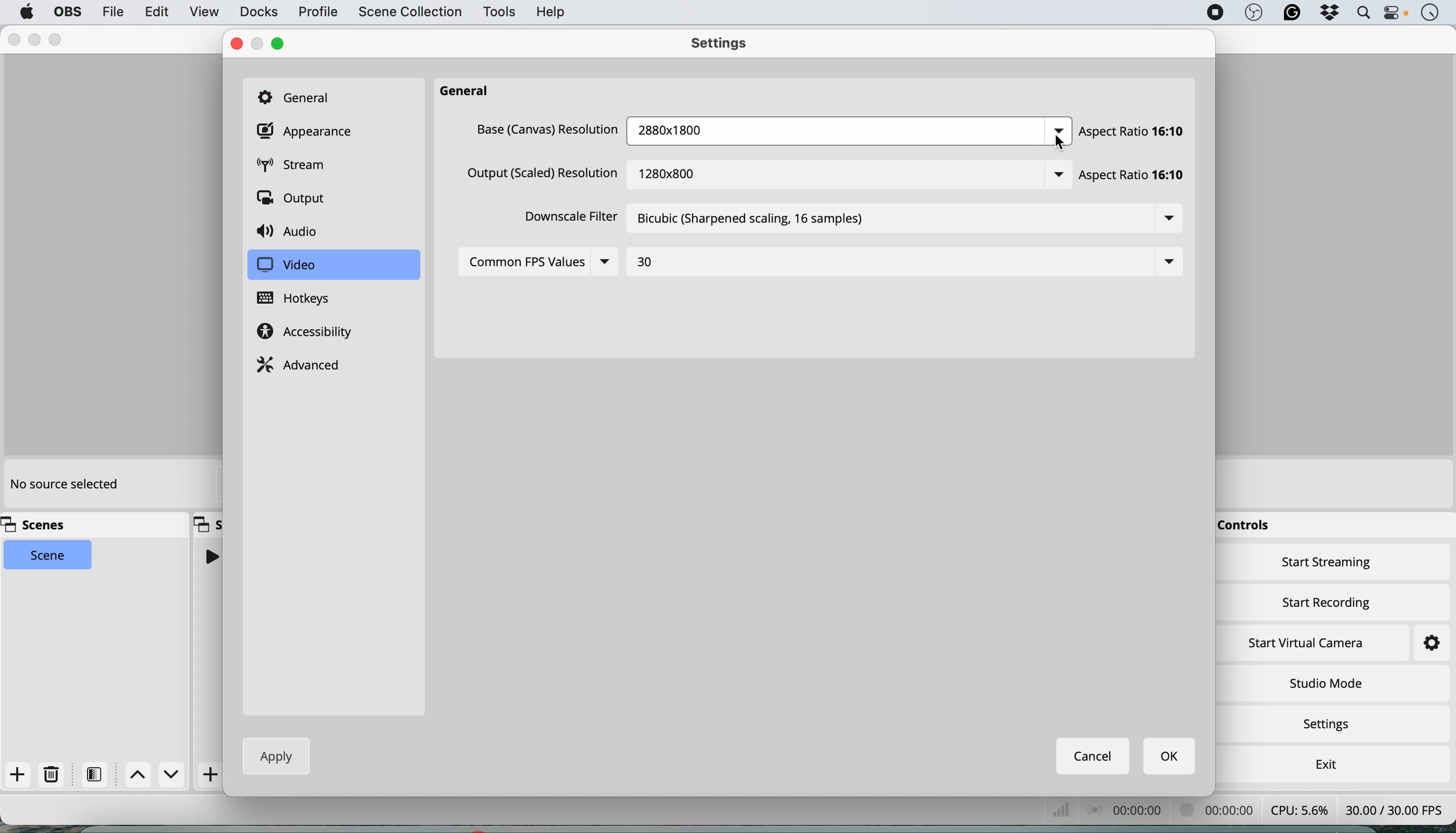 Image resolution: width=1456 pixels, height=833 pixels. I want to click on output, so click(295, 197).